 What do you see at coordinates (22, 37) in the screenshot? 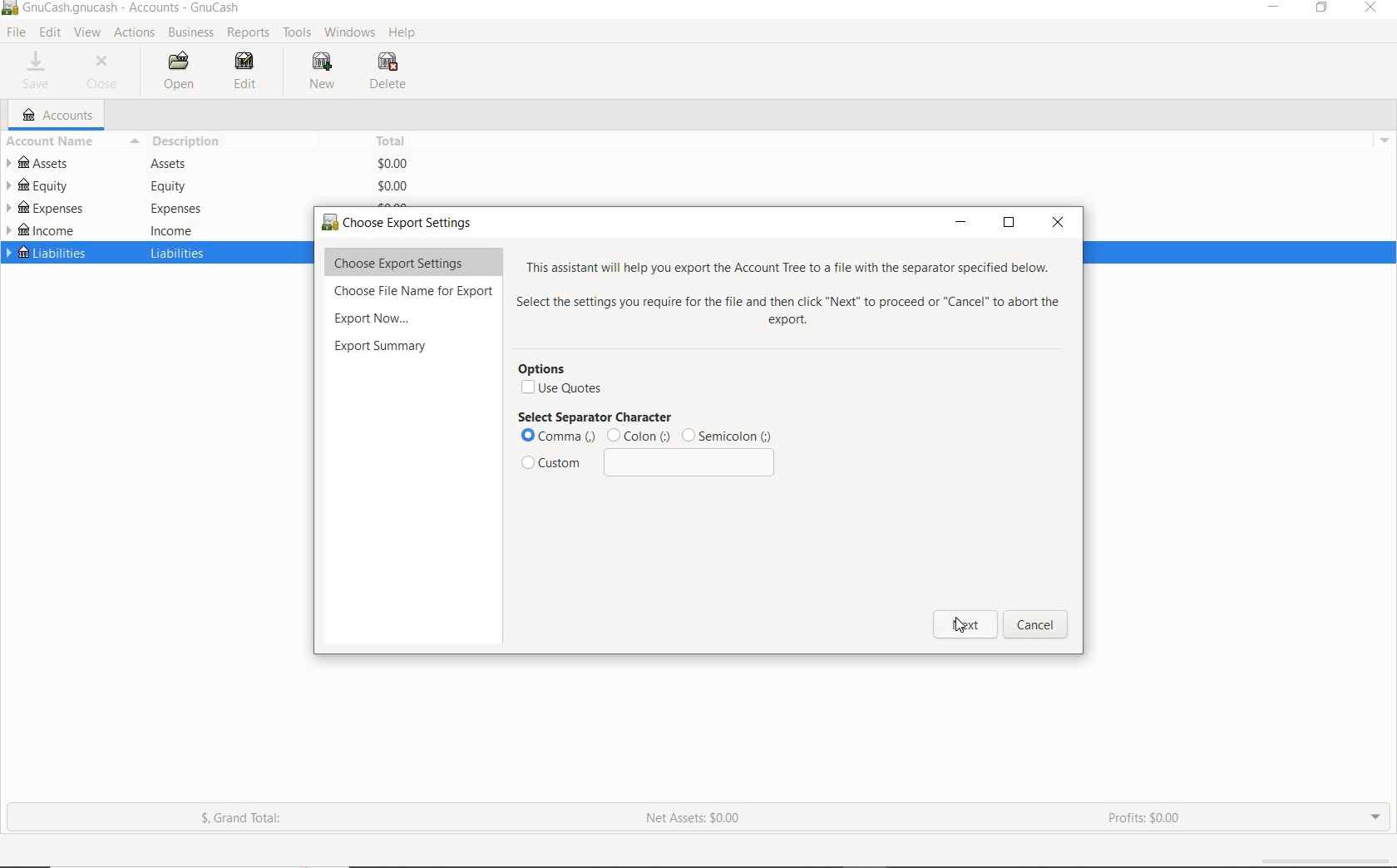
I see `cursor` at bounding box center [22, 37].